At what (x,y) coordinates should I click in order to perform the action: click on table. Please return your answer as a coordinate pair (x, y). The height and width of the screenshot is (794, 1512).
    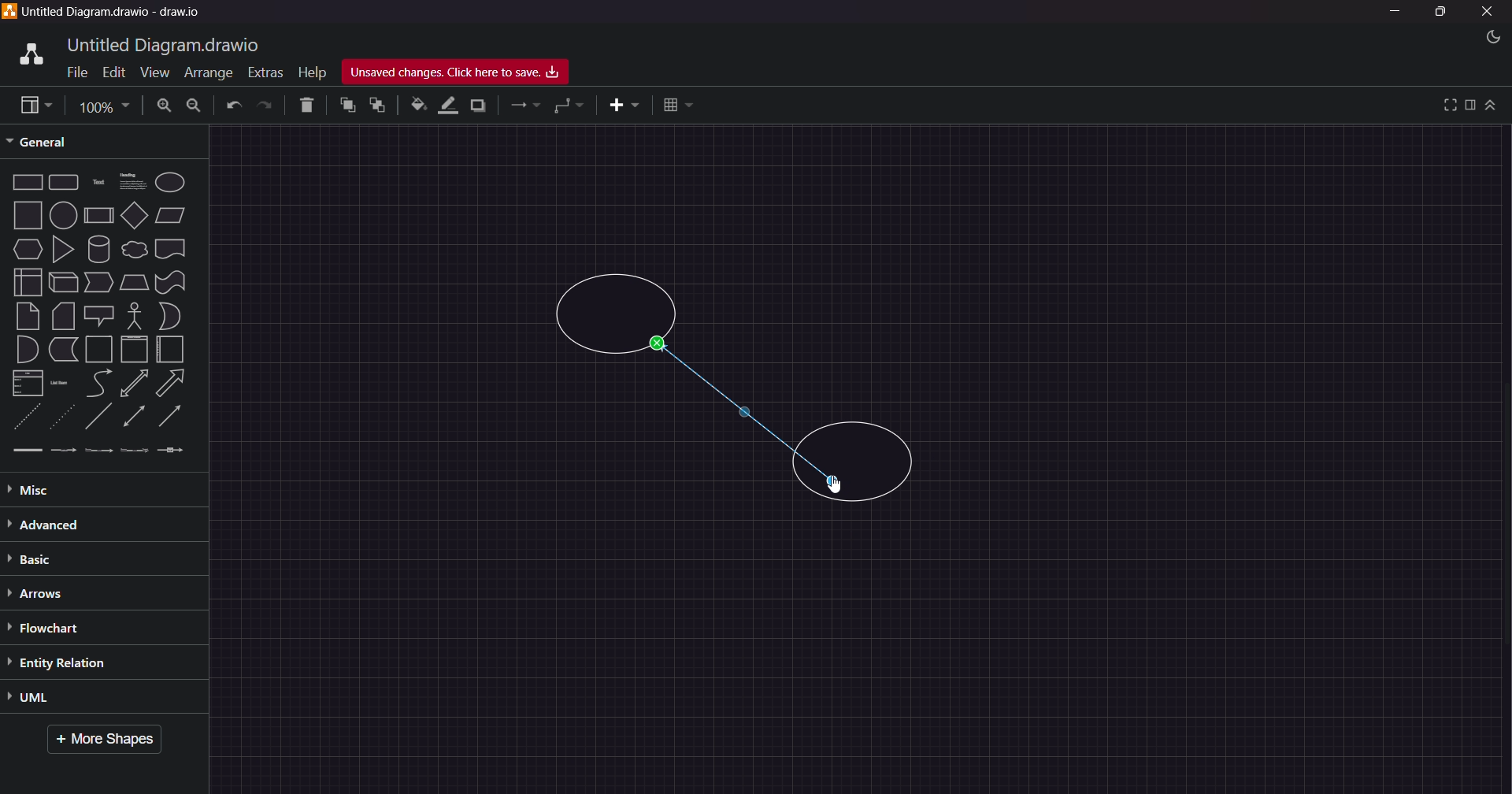
    Looking at the image, I should click on (679, 104).